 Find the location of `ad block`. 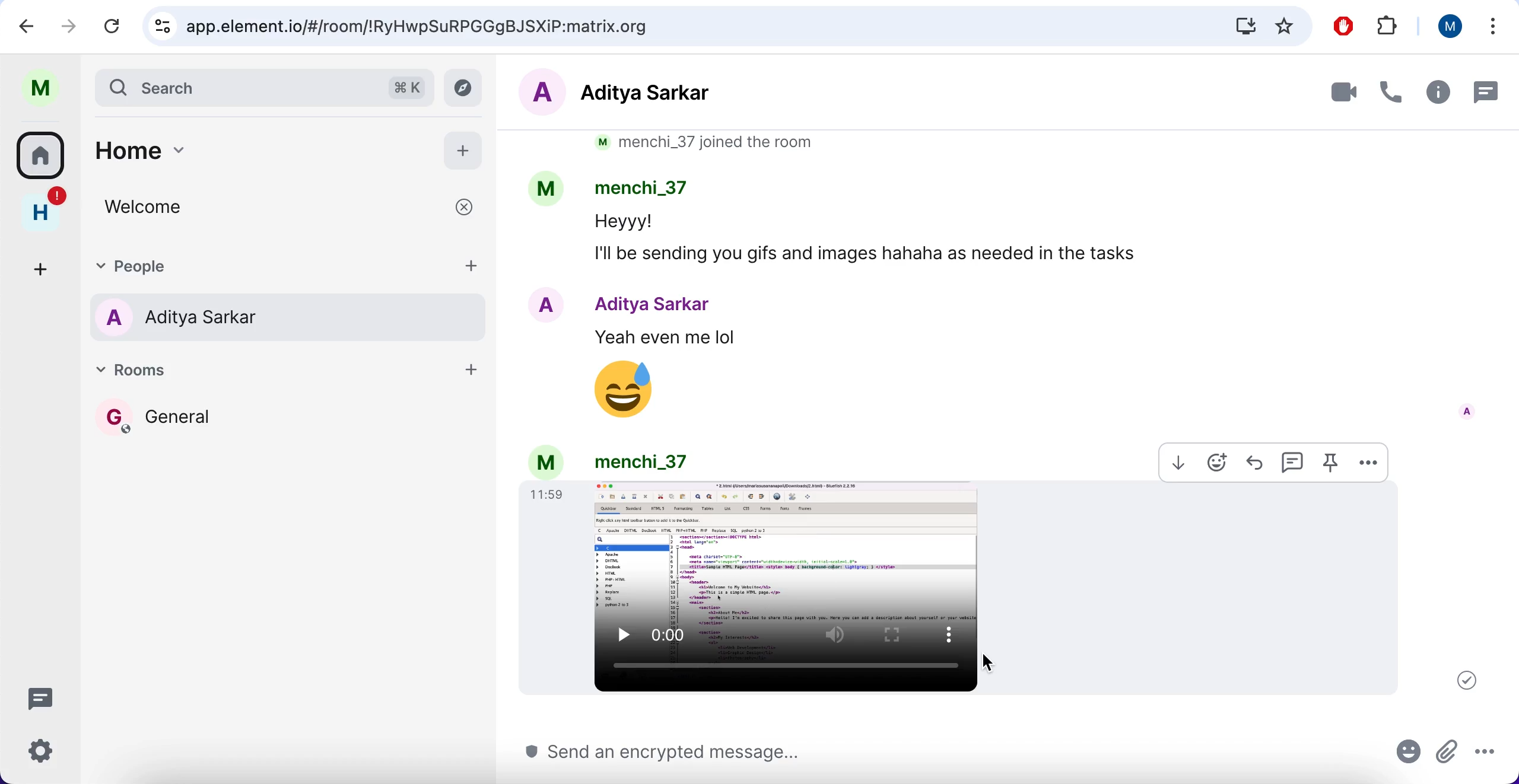

ad block is located at coordinates (1343, 24).